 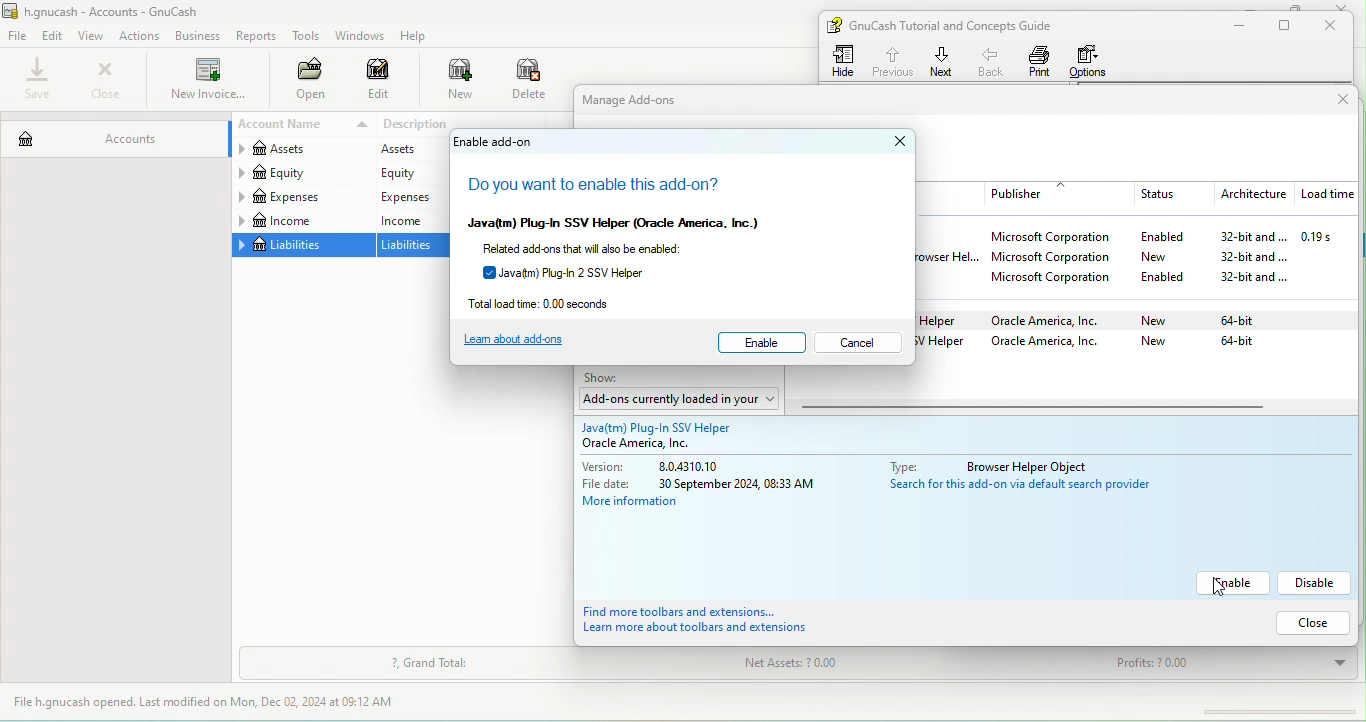 What do you see at coordinates (358, 36) in the screenshot?
I see `windows` at bounding box center [358, 36].